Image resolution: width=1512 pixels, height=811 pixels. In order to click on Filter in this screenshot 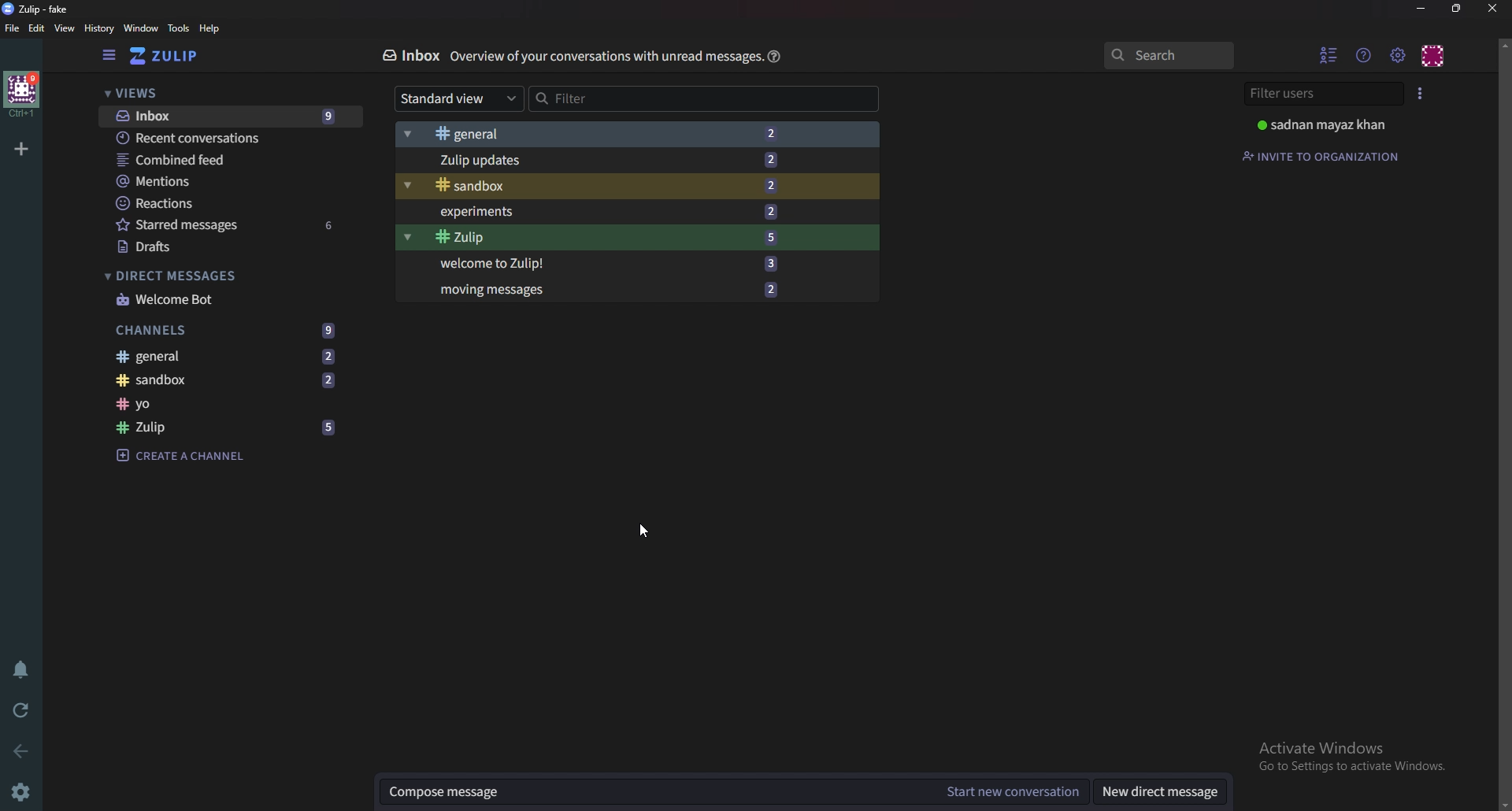, I will do `click(628, 99)`.